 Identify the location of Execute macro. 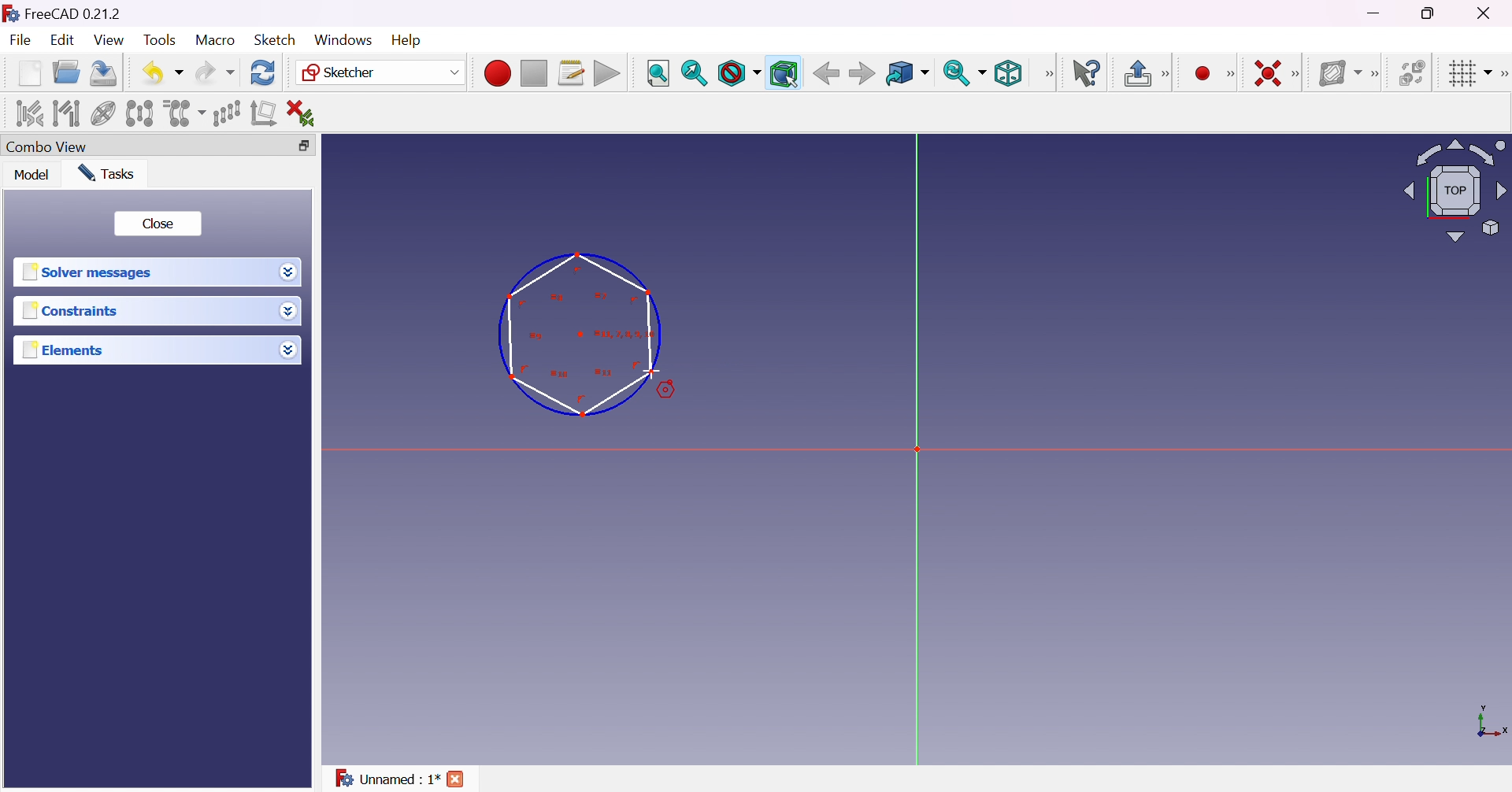
(607, 75).